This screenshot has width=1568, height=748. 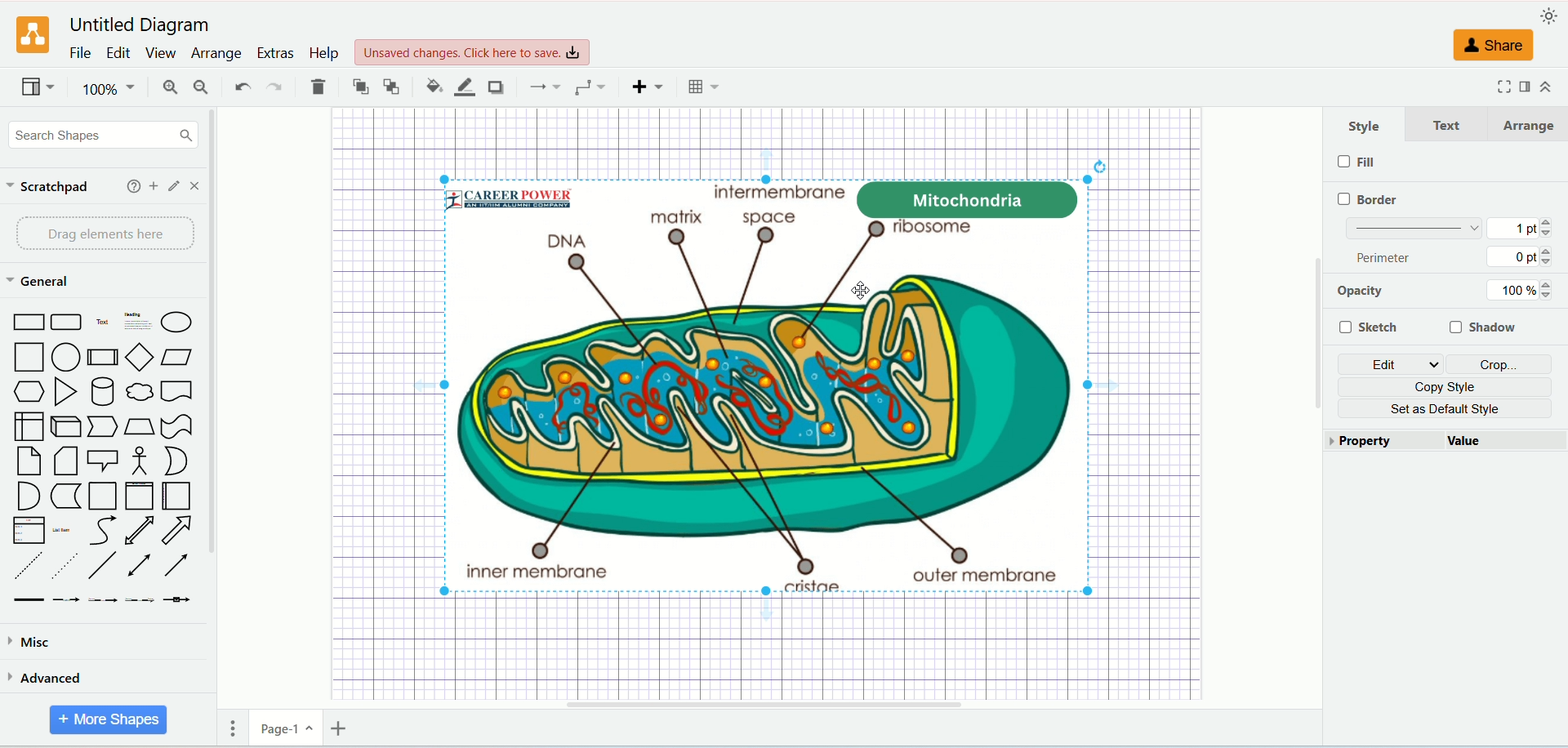 What do you see at coordinates (102, 602) in the screenshot?
I see `Connector with 2 Labels` at bounding box center [102, 602].